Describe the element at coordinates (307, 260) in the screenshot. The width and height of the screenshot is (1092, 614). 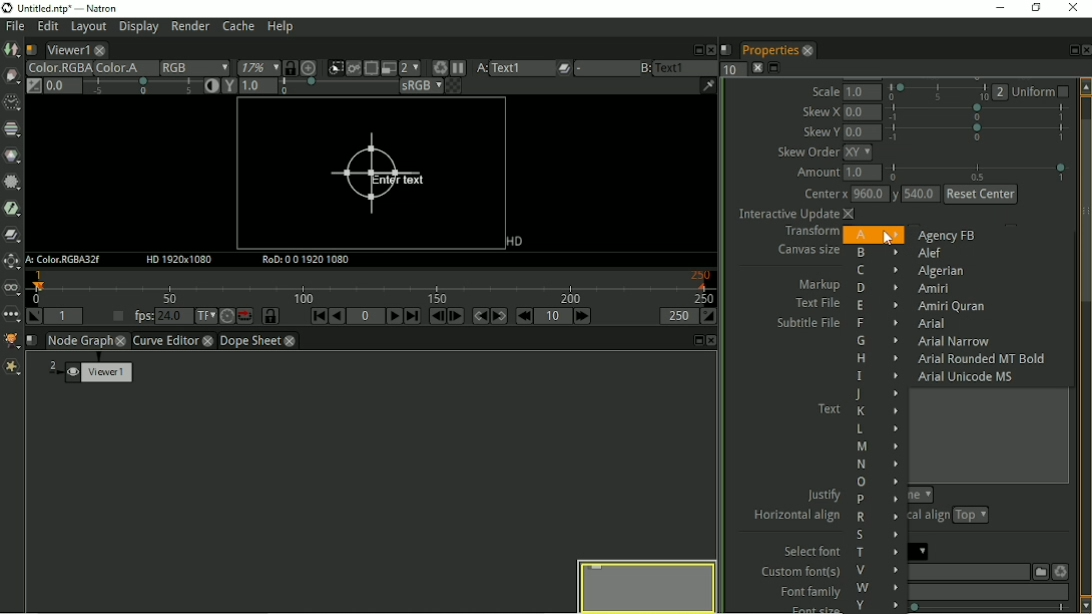
I see `RoD` at that location.